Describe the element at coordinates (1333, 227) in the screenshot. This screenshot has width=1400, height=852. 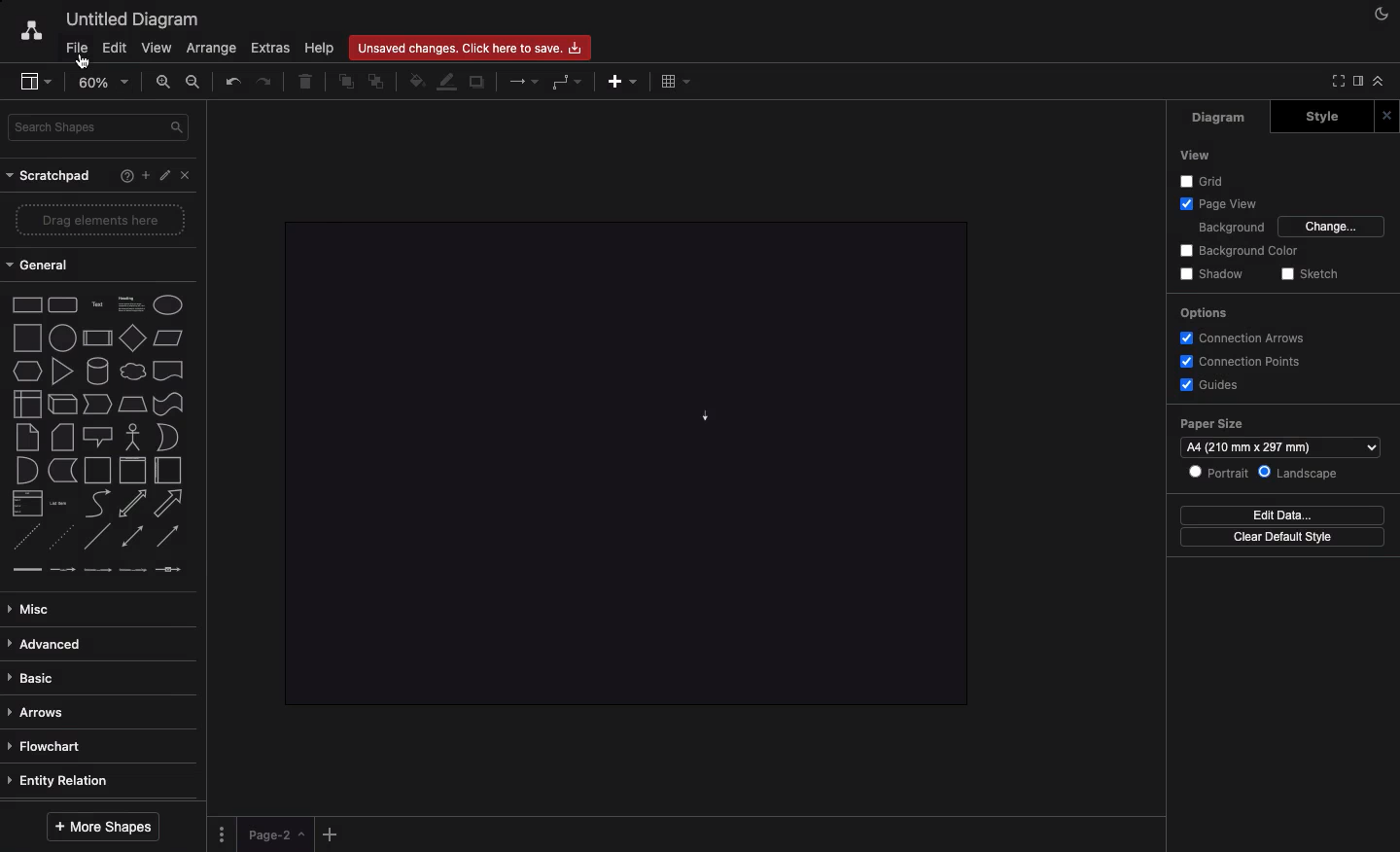
I see `Change` at that location.